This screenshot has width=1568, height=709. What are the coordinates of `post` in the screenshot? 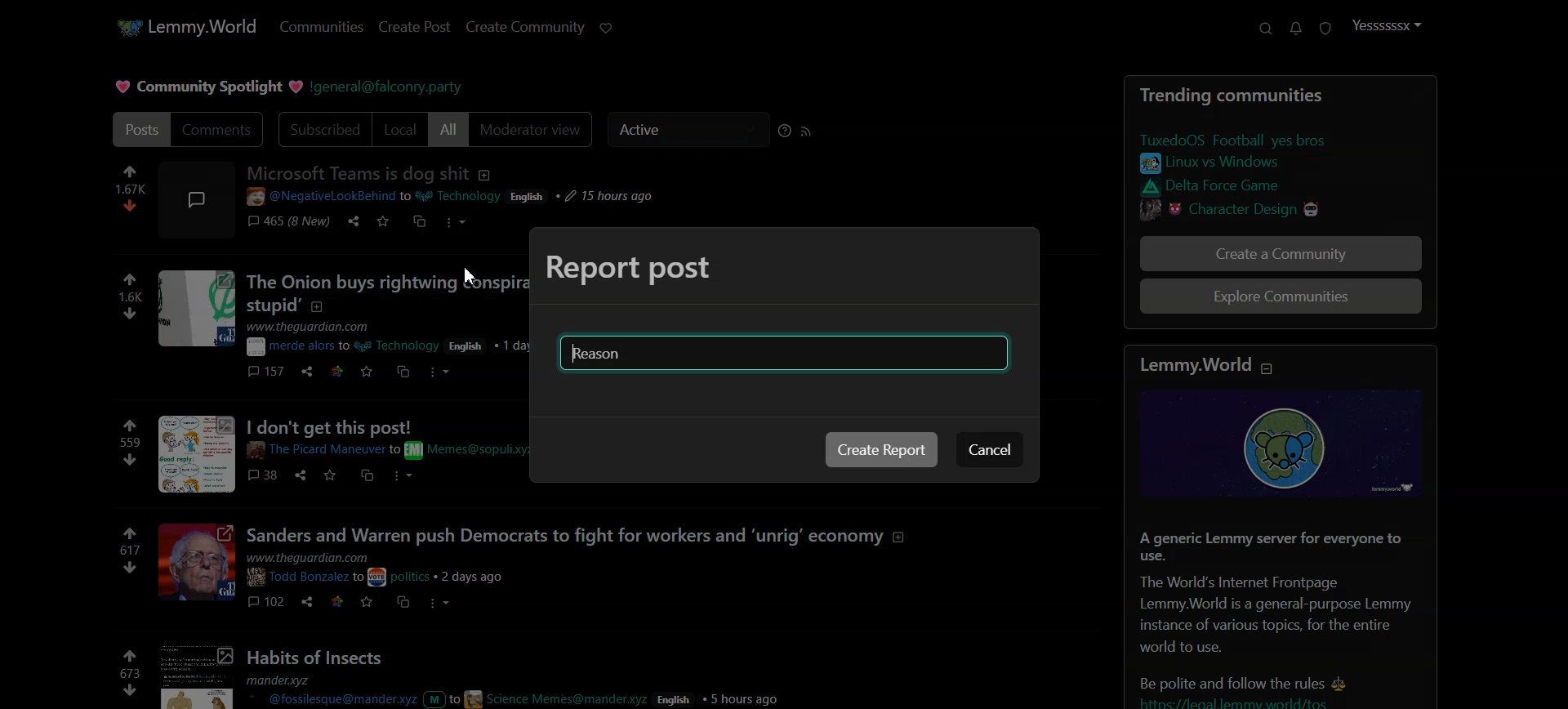 It's located at (468, 185).